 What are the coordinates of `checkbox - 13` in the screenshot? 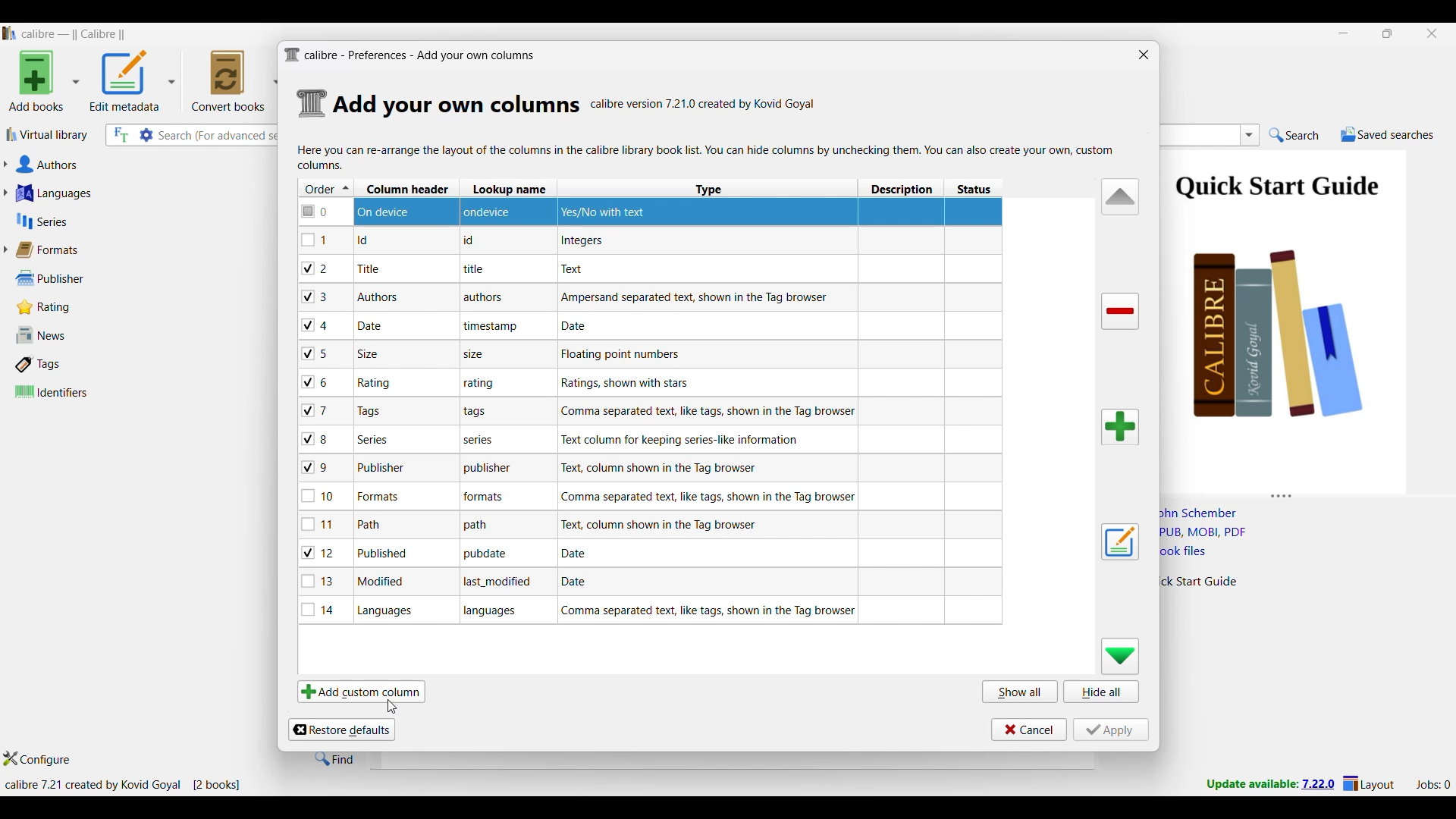 It's located at (318, 581).